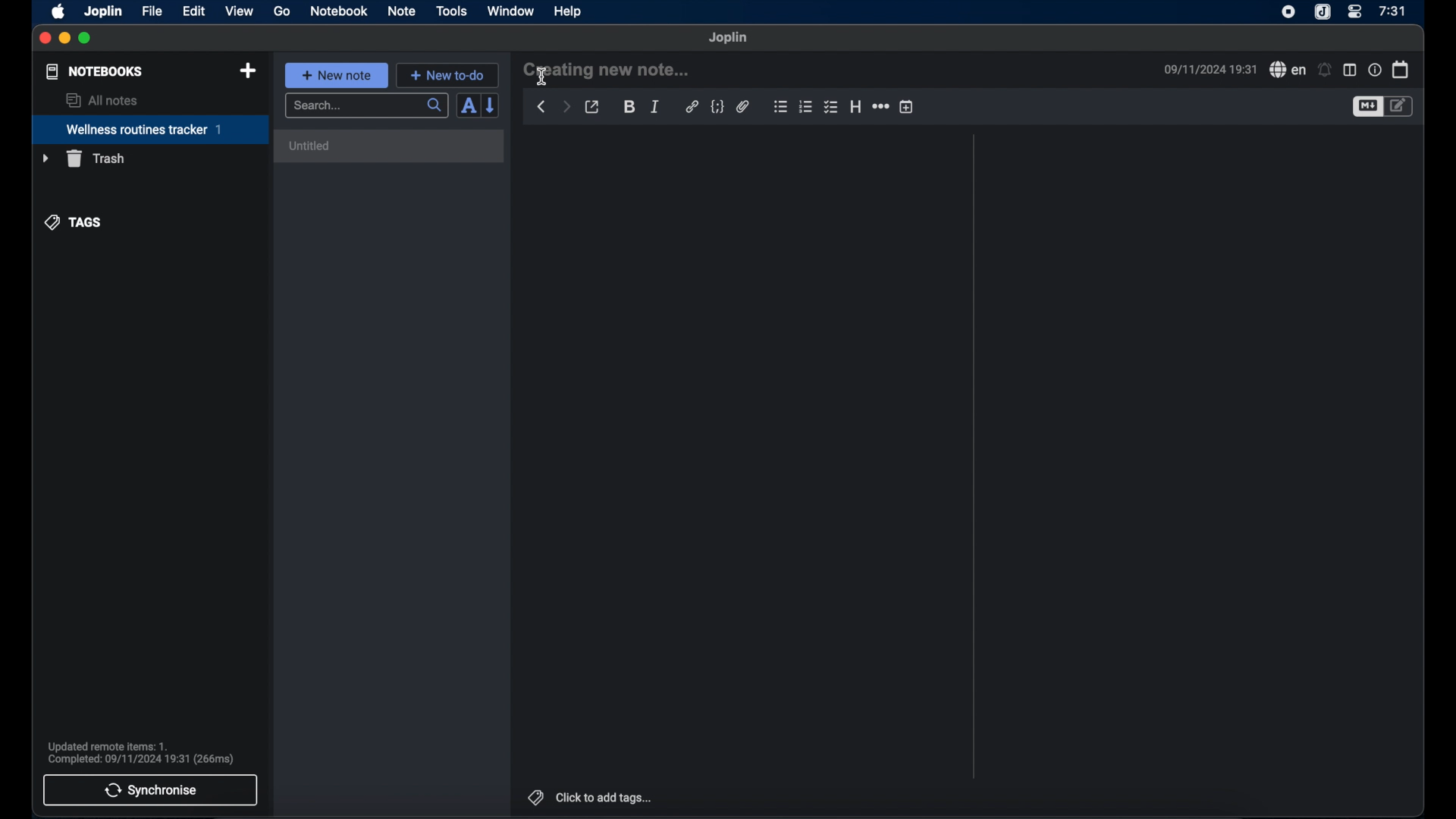 The height and width of the screenshot is (819, 1456). I want to click on wellness  routines tracker, so click(145, 128).